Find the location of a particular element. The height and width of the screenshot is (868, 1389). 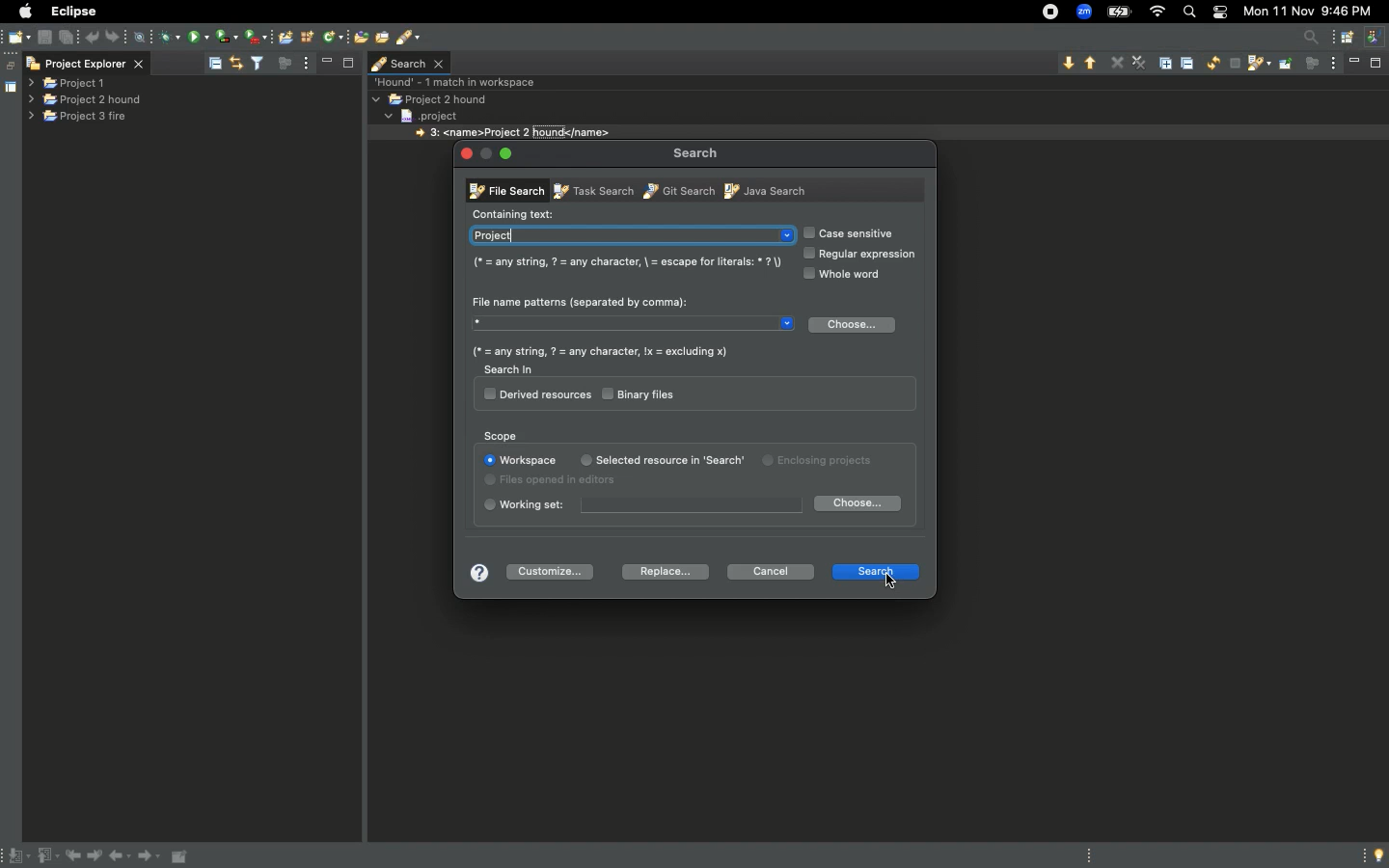

Tip of the day is located at coordinates (1374, 855).